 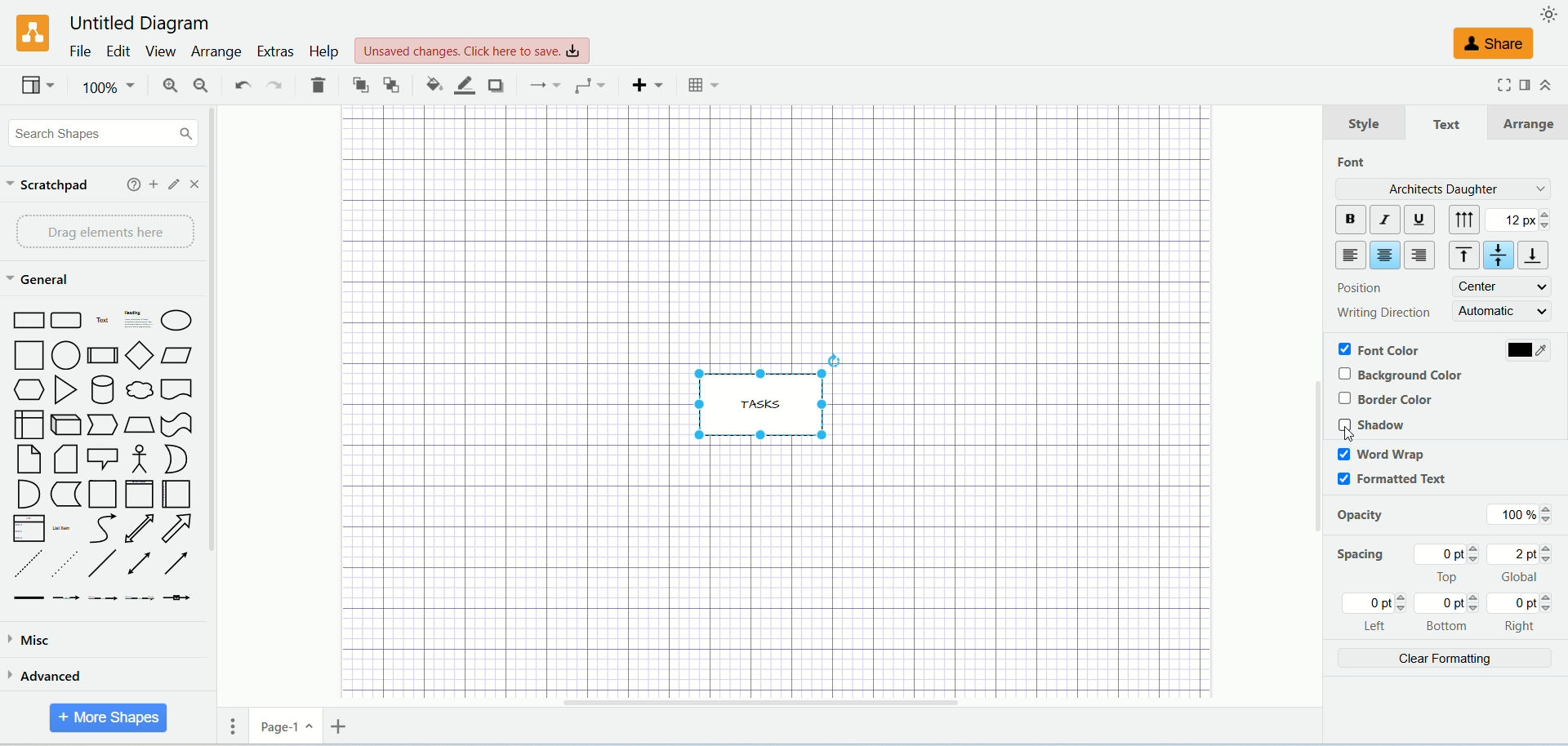 What do you see at coordinates (177, 495) in the screenshot?
I see `Horizantal Container` at bounding box center [177, 495].